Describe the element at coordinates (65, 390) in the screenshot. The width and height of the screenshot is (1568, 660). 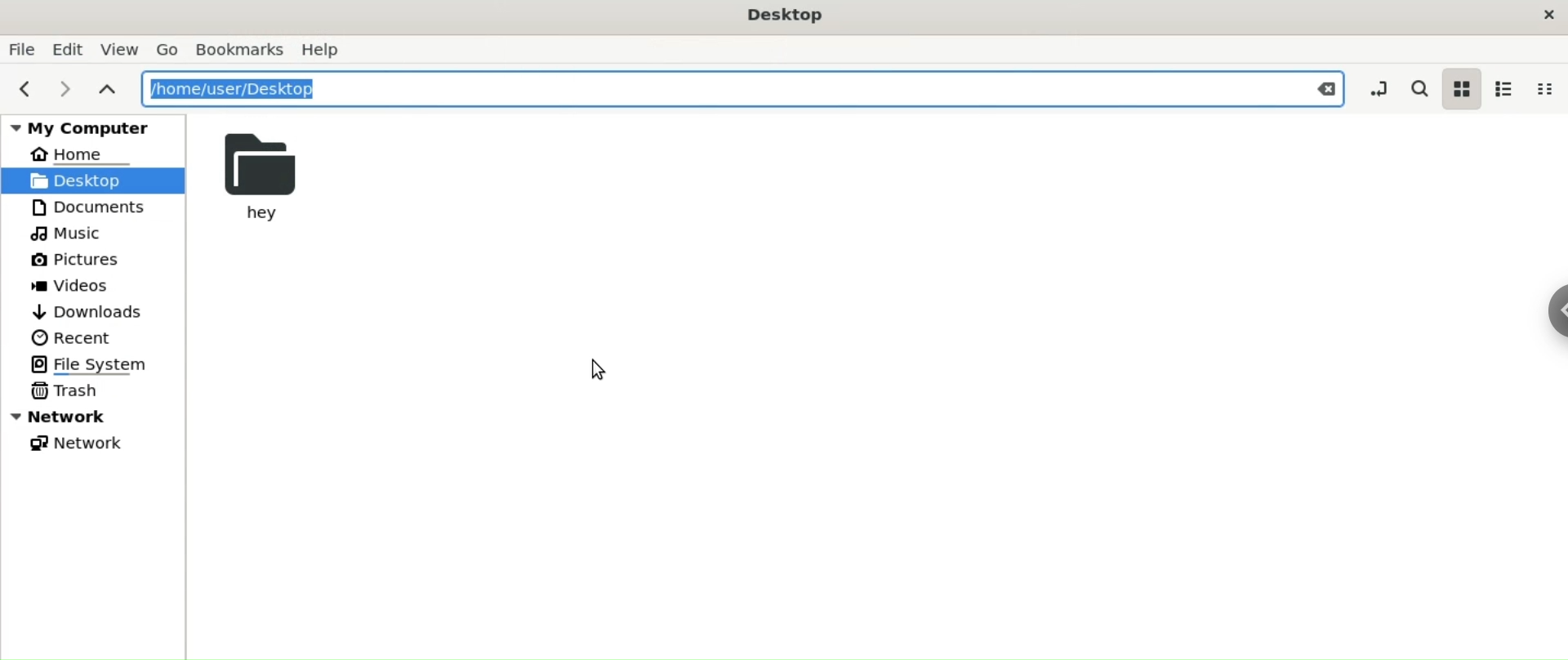
I see `Trash` at that location.